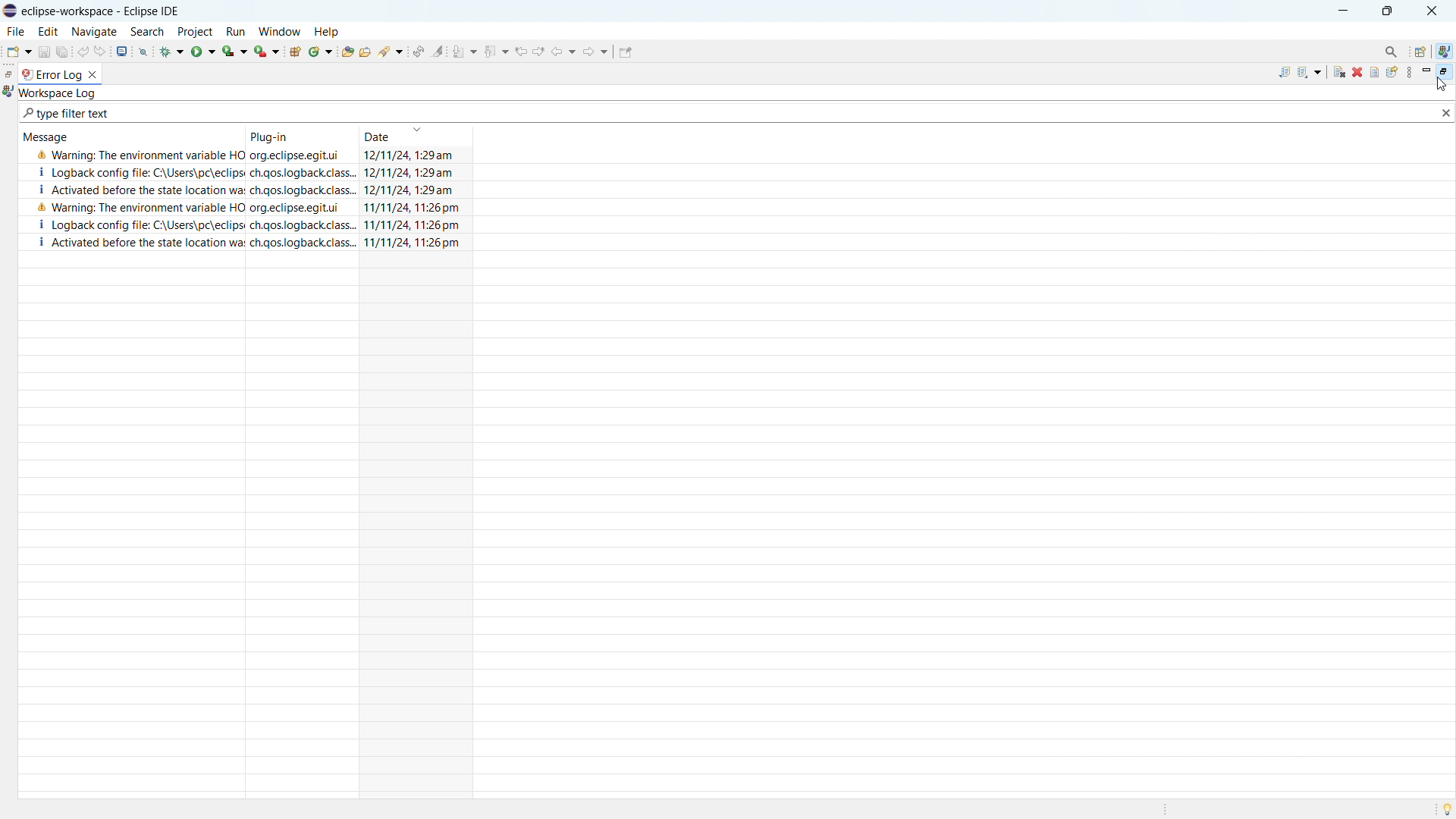 This screenshot has width=1456, height=819. Describe the element at coordinates (138, 224) in the screenshot. I see `i Logback config file: C:\Users\pc\eclips` at that location.